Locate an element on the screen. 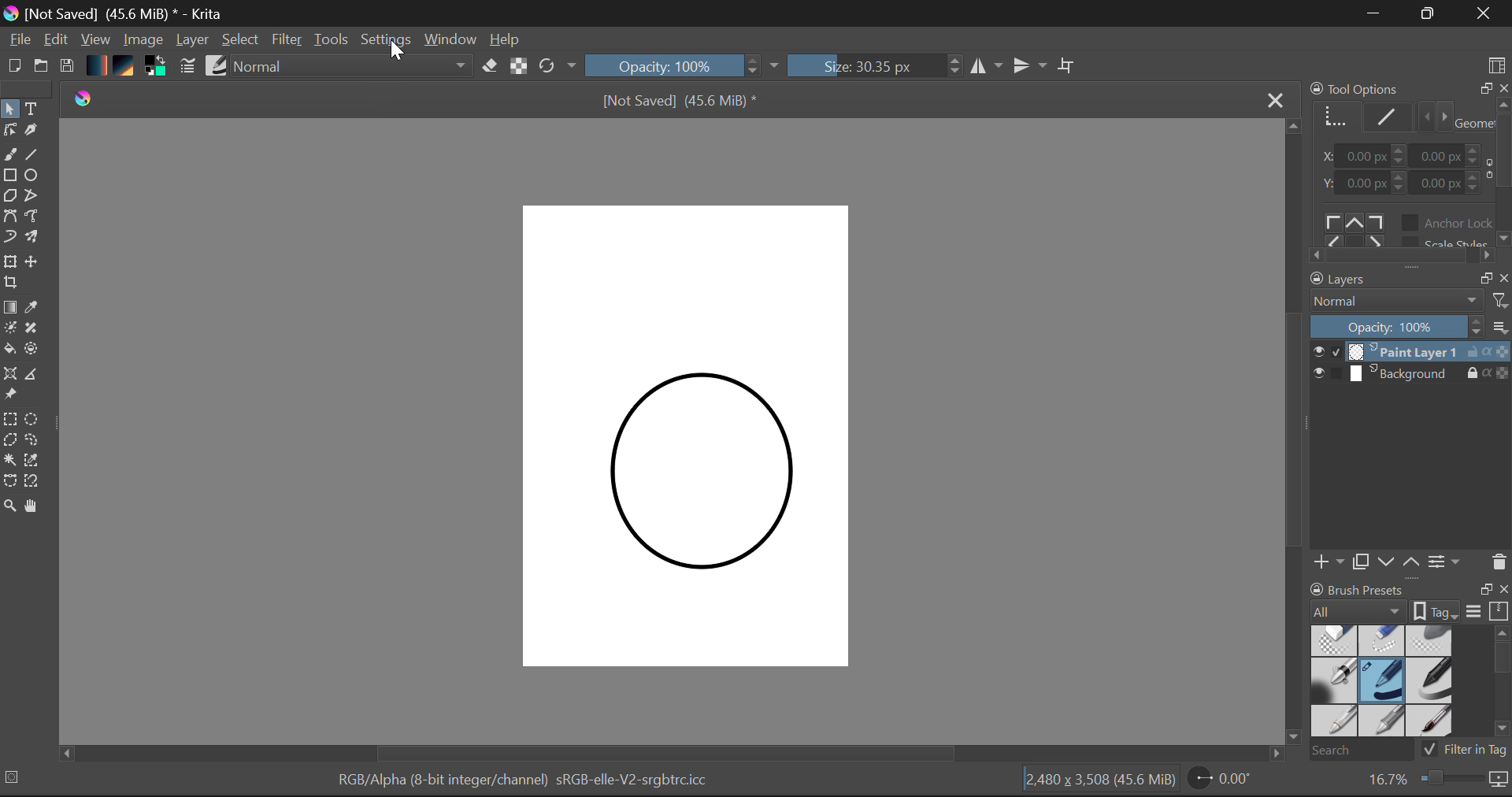 The height and width of the screenshot is (797, 1512). File Name & Size is located at coordinates (680, 99).